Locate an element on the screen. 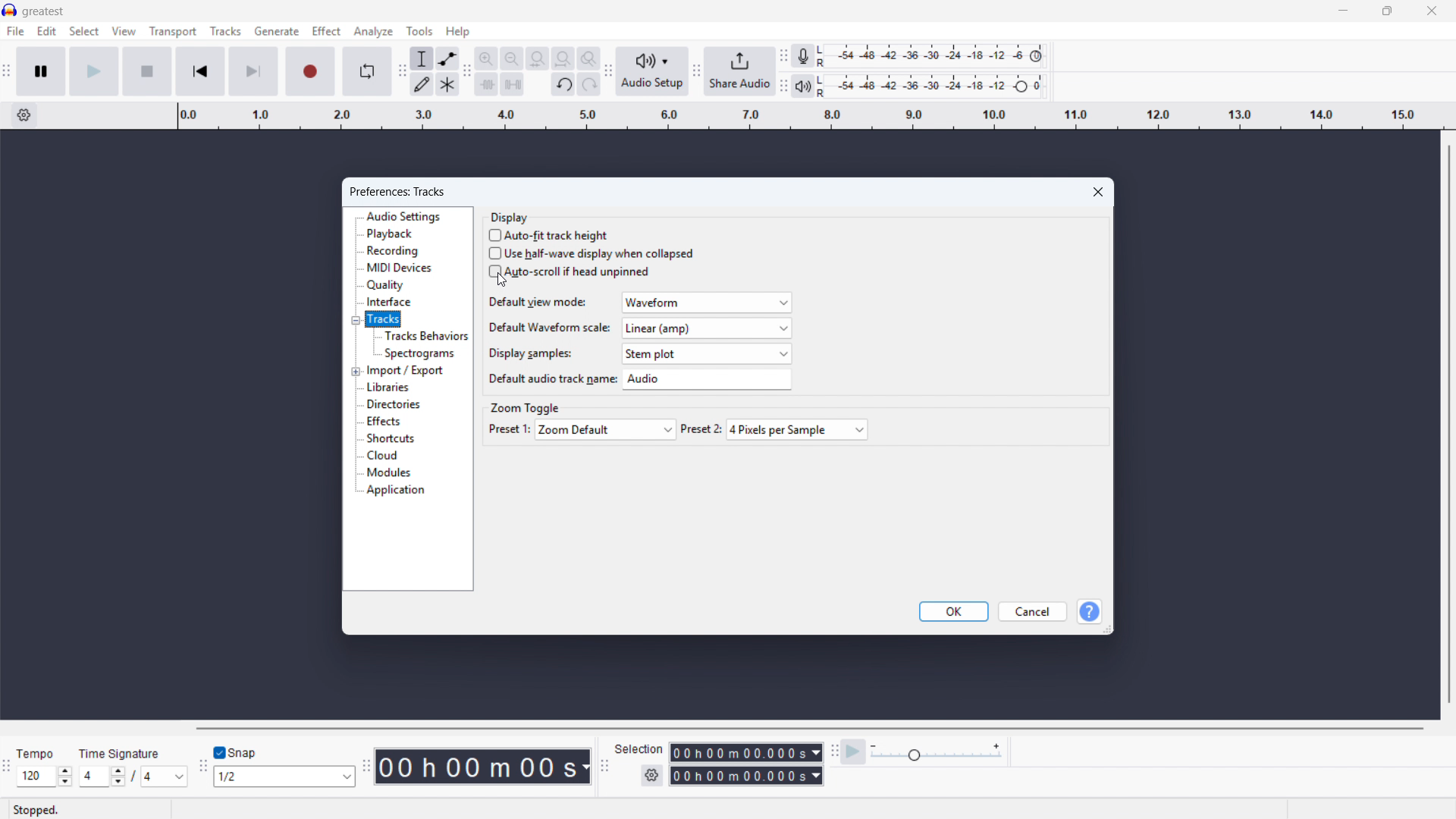 The width and height of the screenshot is (1456, 819). Play  is located at coordinates (94, 72).